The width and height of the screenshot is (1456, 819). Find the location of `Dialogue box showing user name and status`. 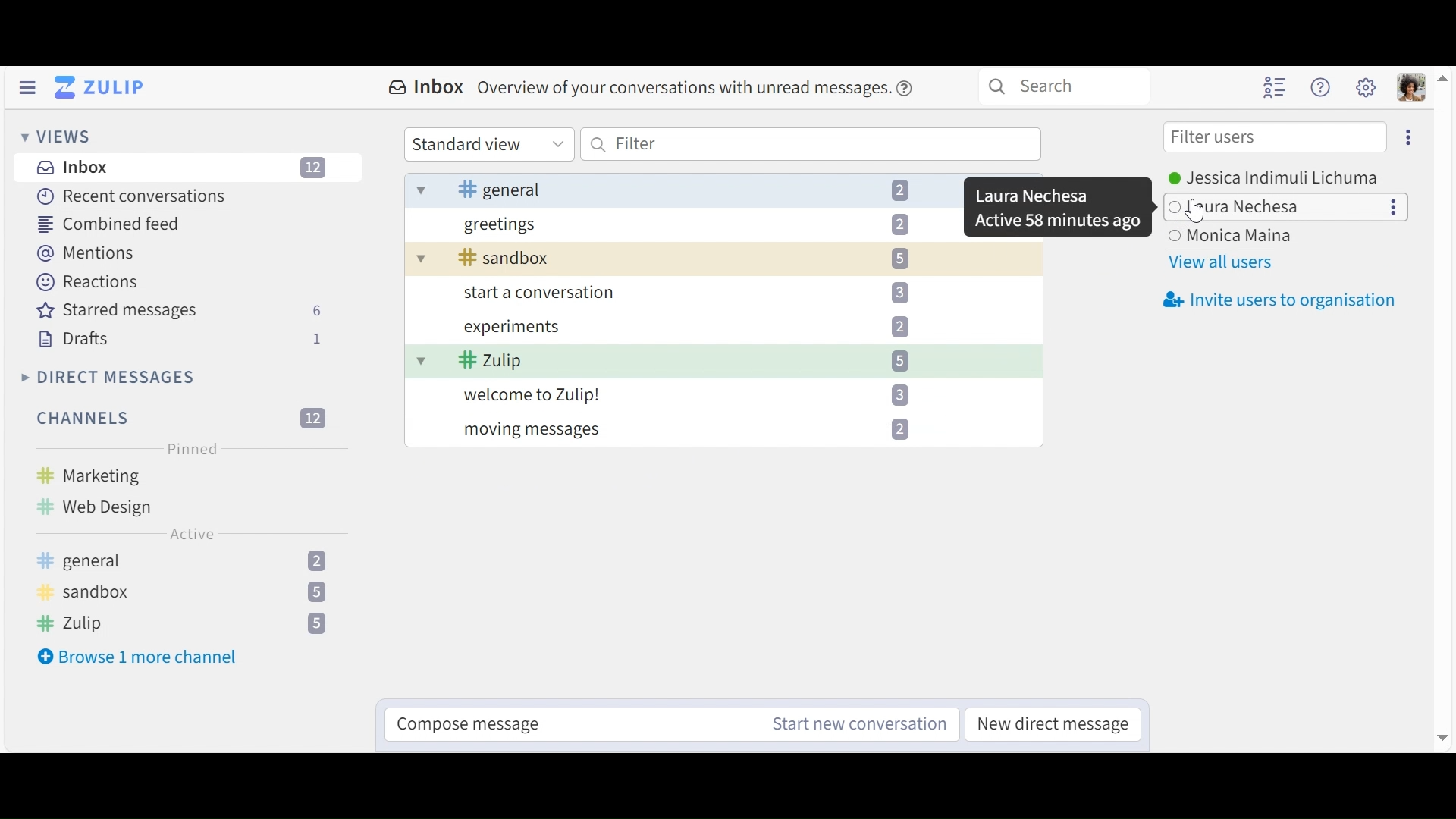

Dialogue box showing user name and status is located at coordinates (1059, 209).